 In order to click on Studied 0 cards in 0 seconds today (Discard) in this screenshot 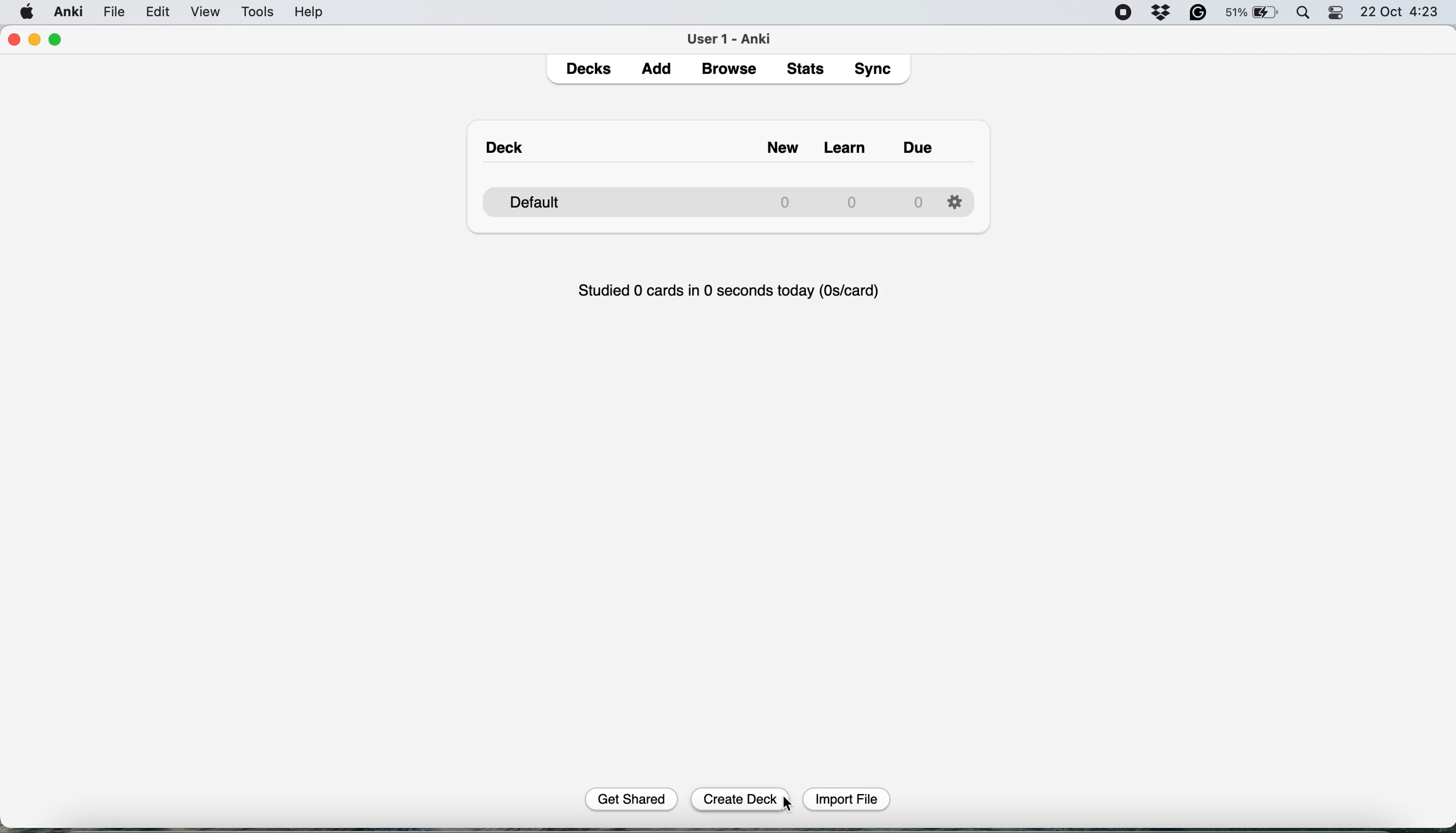, I will do `click(730, 289)`.